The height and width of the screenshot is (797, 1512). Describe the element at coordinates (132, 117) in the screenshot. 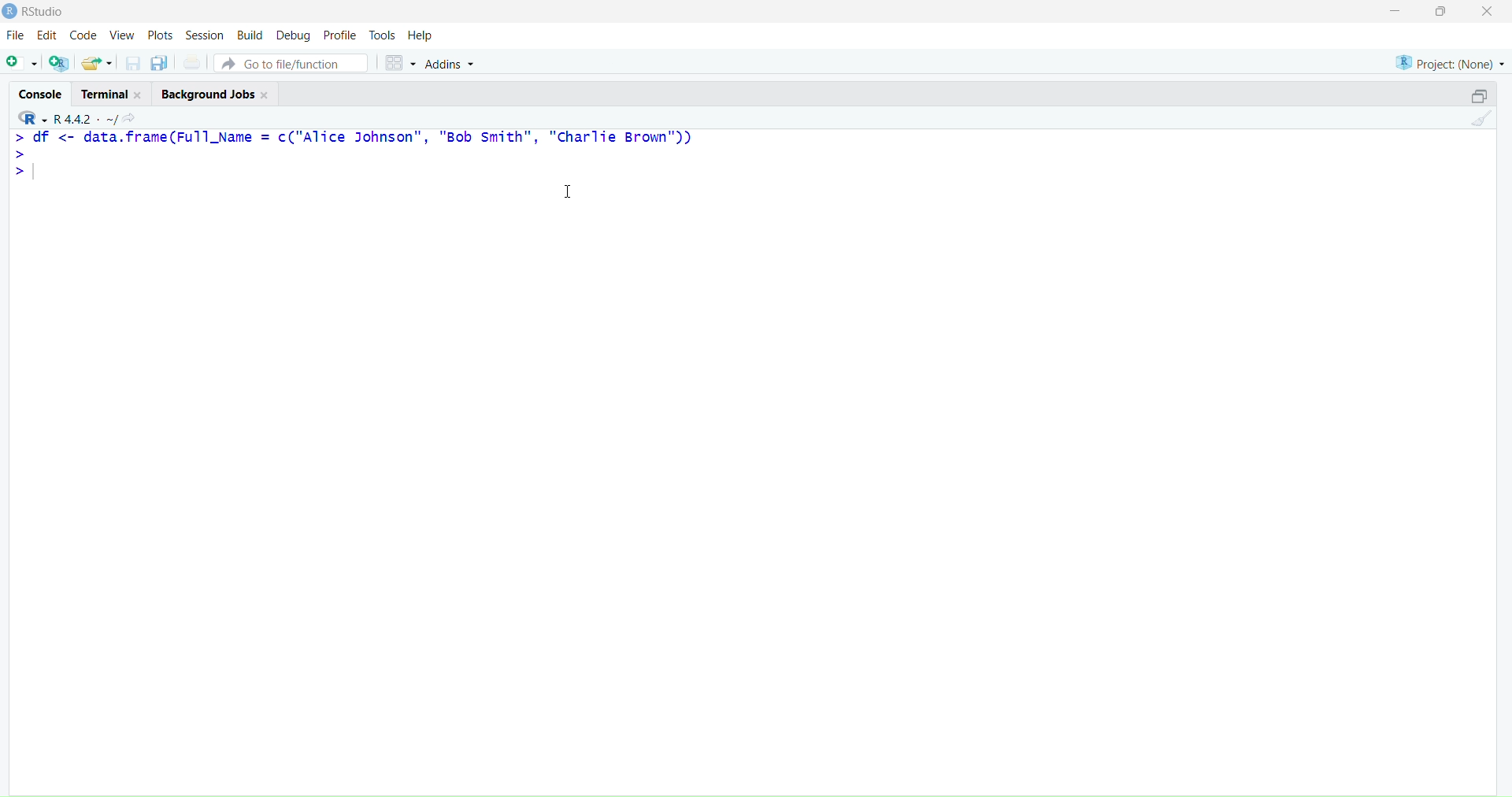

I see `View the current working directory` at that location.